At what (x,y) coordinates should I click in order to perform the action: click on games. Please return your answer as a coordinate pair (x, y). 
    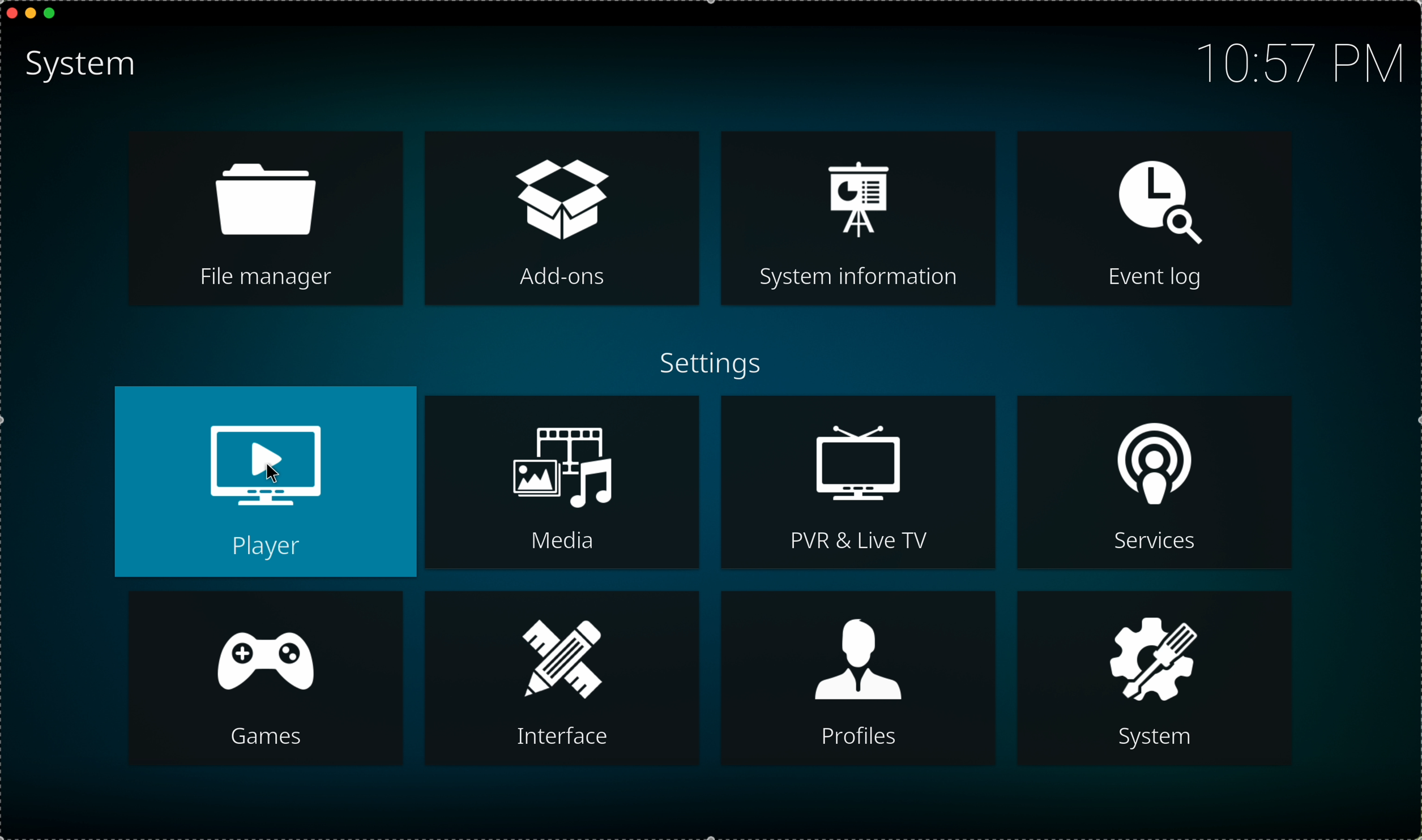
    Looking at the image, I should click on (267, 678).